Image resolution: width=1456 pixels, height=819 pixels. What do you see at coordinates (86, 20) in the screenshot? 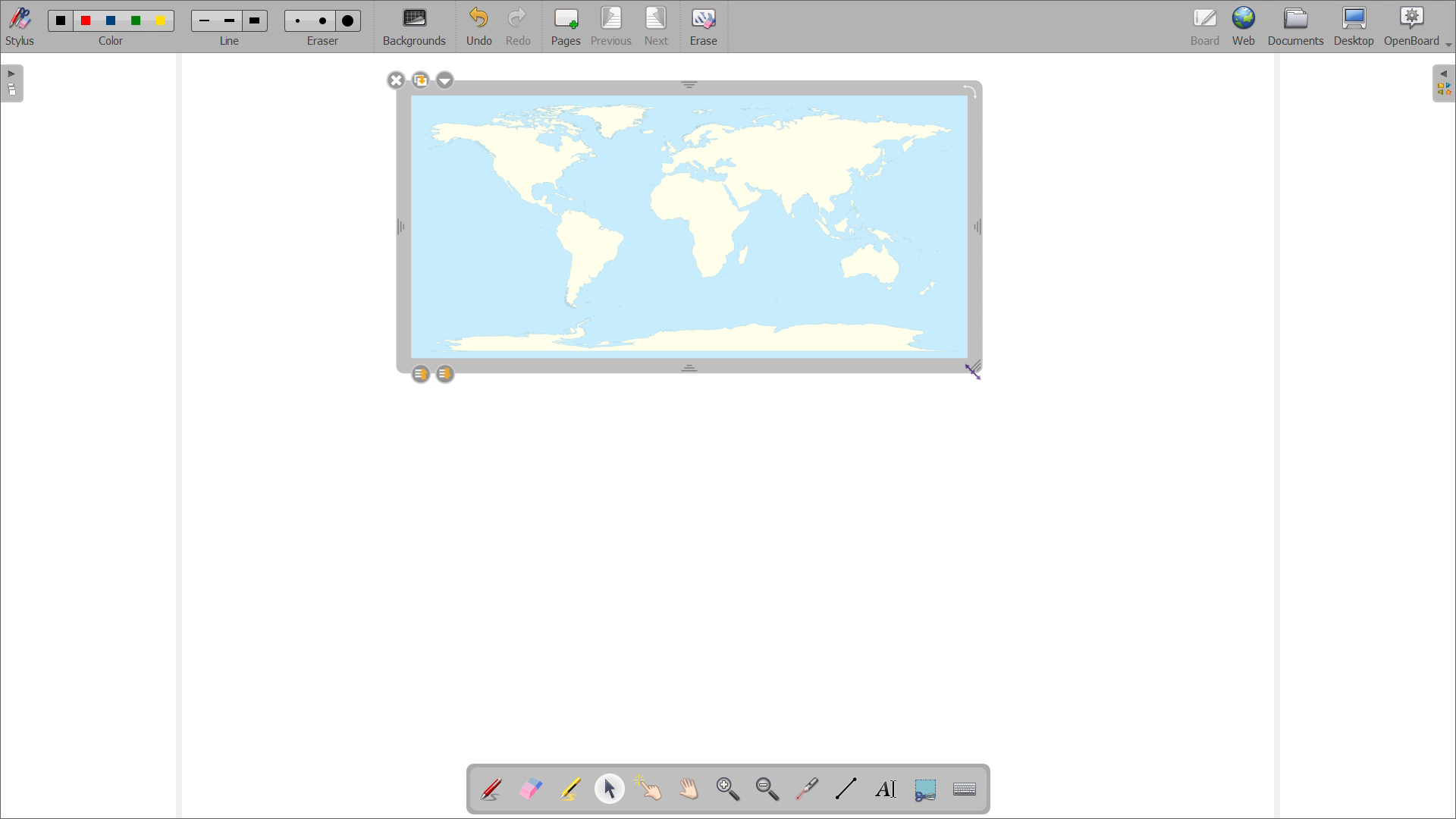
I see `red` at bounding box center [86, 20].